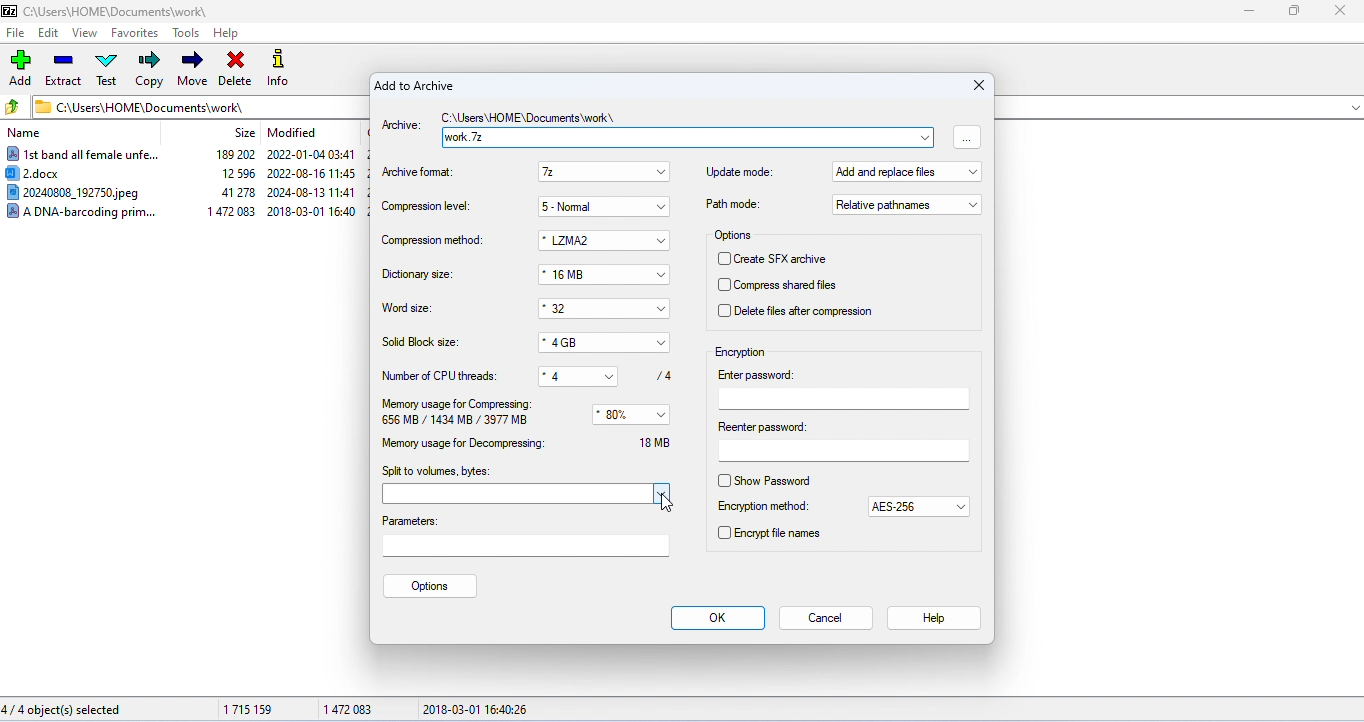  What do you see at coordinates (662, 343) in the screenshot?
I see `drop down` at bounding box center [662, 343].